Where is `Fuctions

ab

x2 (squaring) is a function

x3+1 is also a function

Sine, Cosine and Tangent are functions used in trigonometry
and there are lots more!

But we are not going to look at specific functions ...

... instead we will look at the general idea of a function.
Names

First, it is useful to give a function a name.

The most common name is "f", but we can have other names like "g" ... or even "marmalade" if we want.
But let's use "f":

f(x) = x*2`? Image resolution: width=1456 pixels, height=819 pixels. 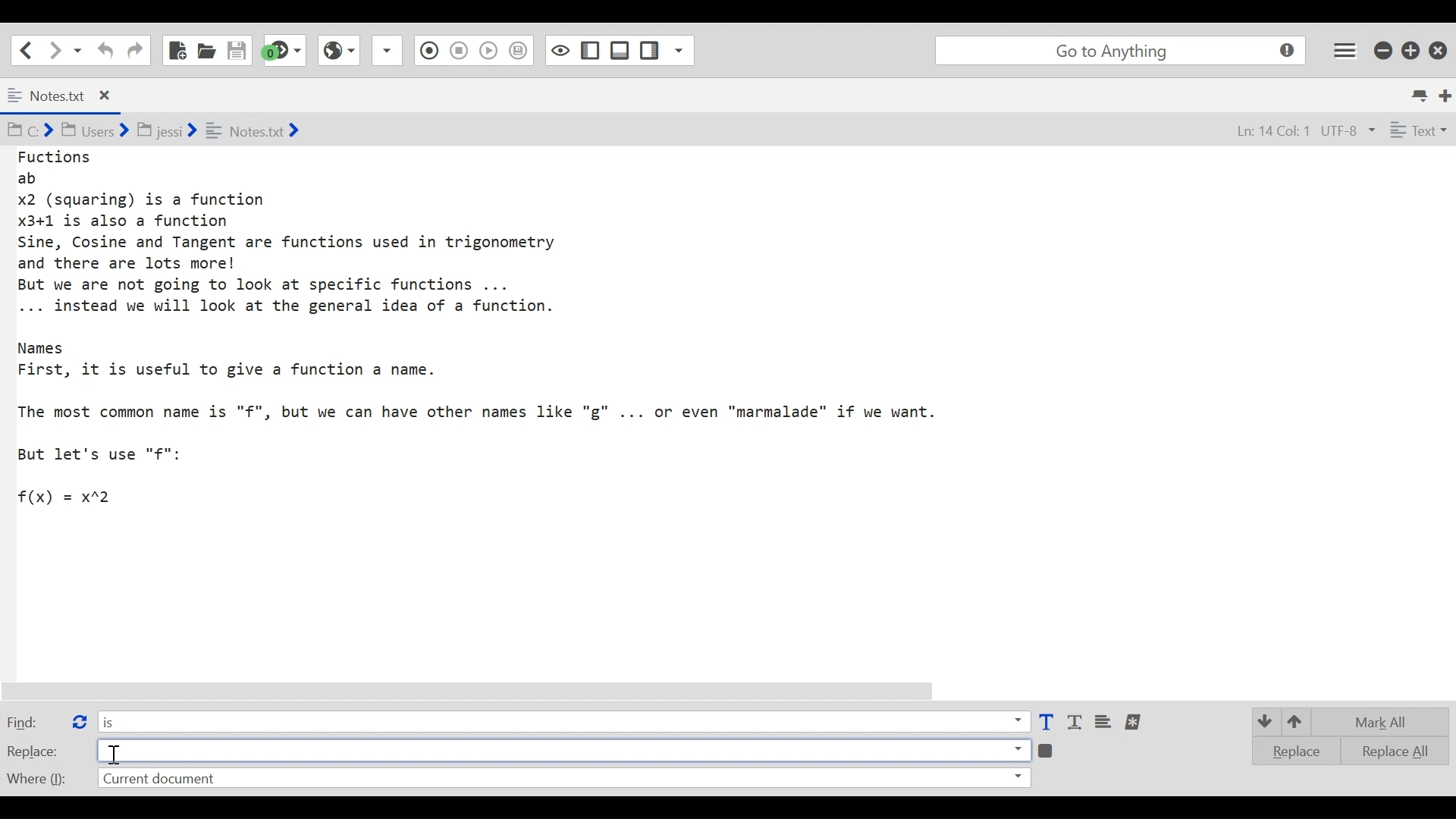
Fuctions

ab

x2 (squaring) is a function

x3+1 is also a function

Sine, Cosine and Tangent are functions used in trigonometry
and there are lots more!

But we are not going to look at specific functions ...

... instead we will look at the general idea of a function.
Names

First, it is useful to give a function a name.

The most common name is "f", but we can have other names like "g" ... or even "marmalade" if we want.
But let's use "f":

f(x) = x*2 is located at coordinates (496, 328).